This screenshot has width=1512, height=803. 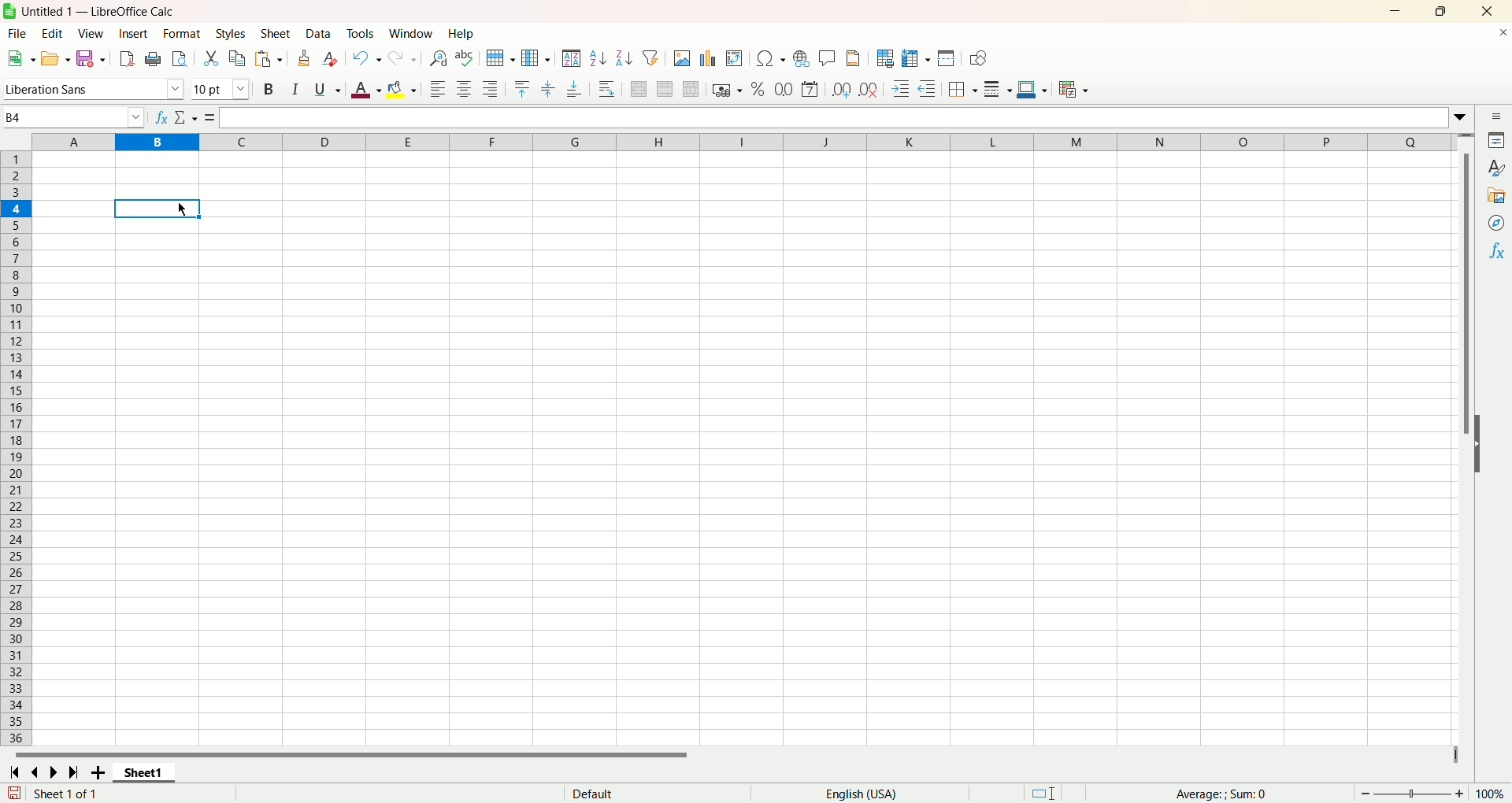 I want to click on edit, so click(x=50, y=34).